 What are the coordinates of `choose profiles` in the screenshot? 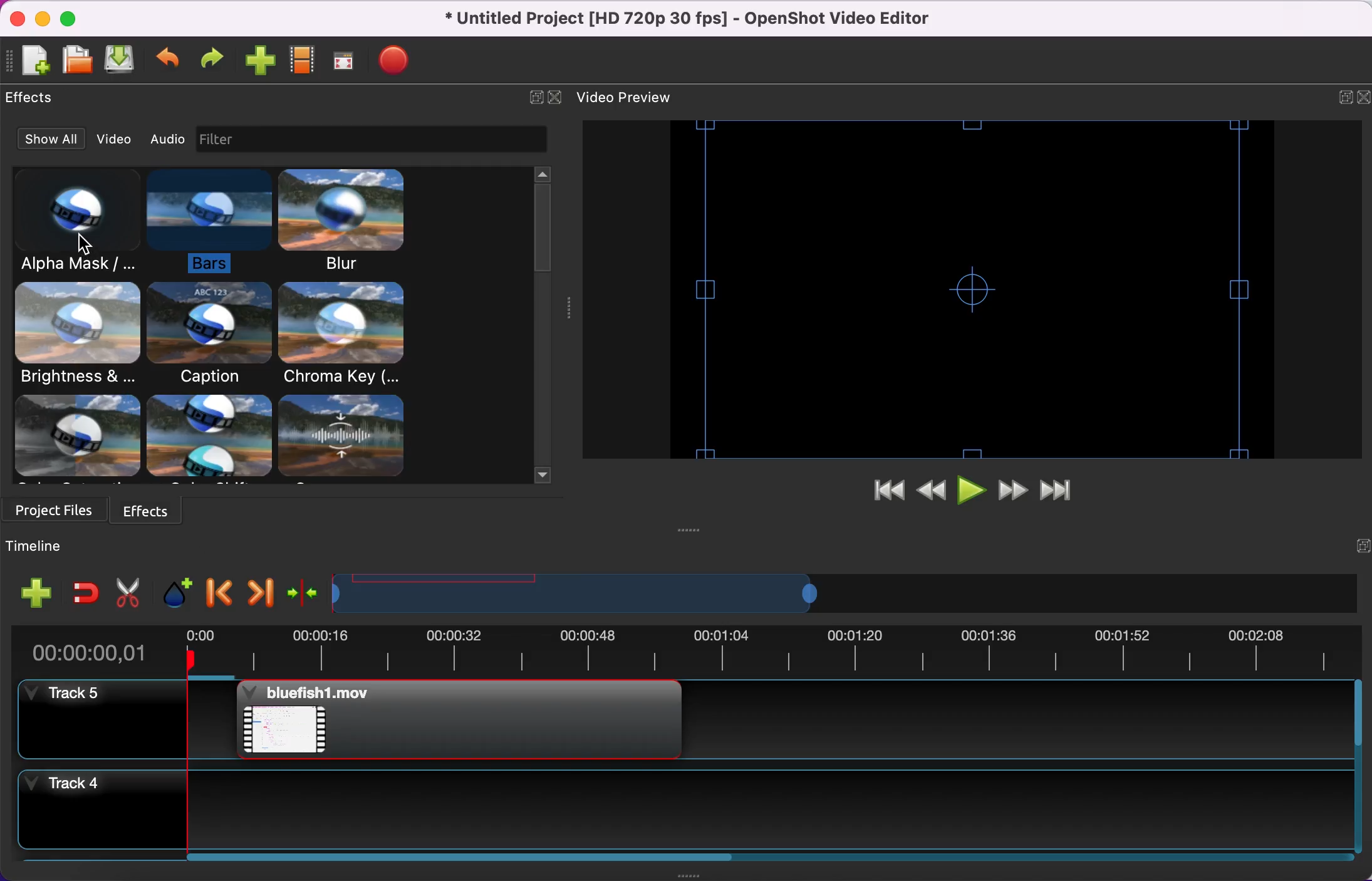 It's located at (304, 64).